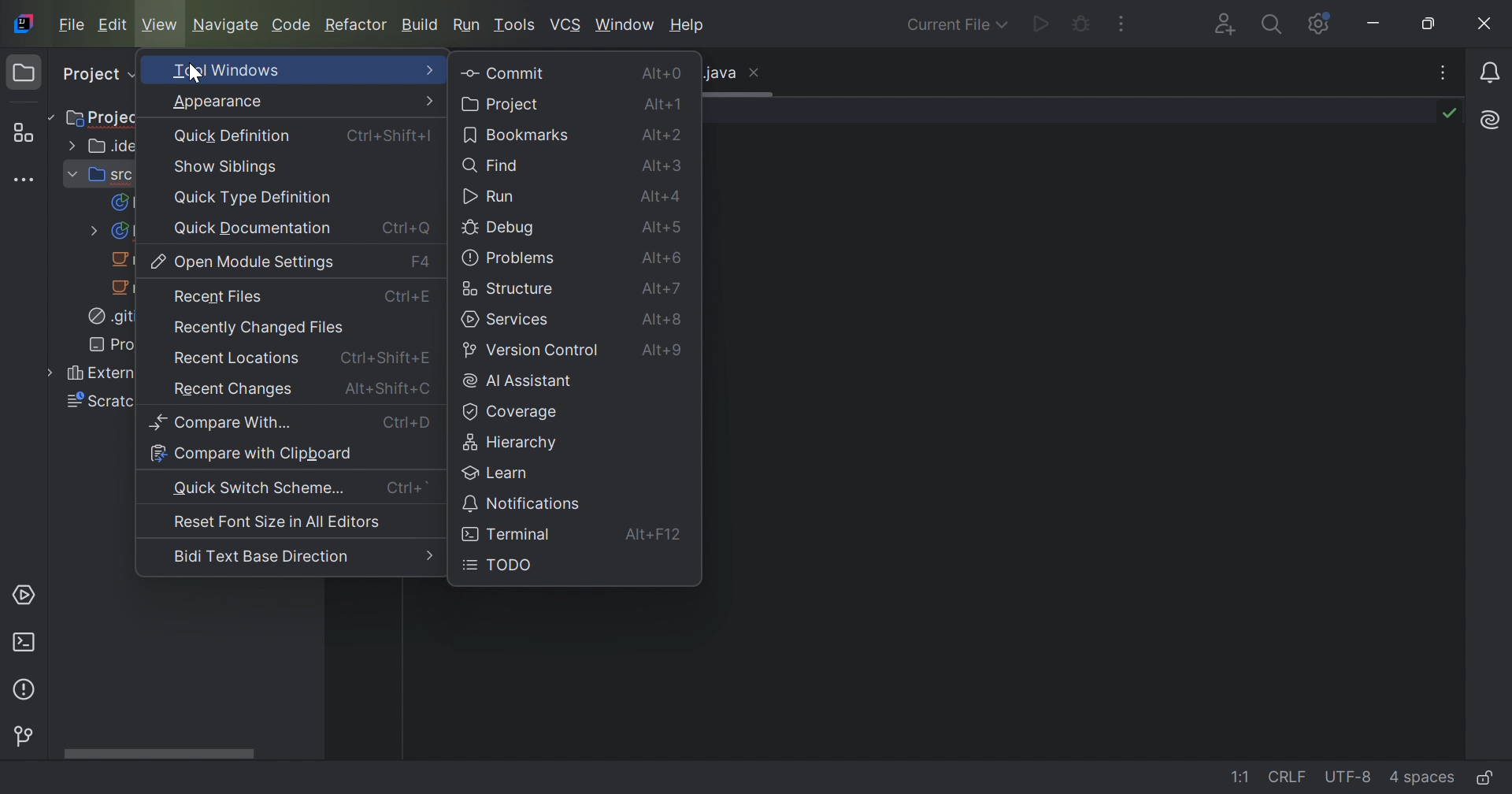 The height and width of the screenshot is (794, 1512). I want to click on Search everywhere, so click(1276, 25).